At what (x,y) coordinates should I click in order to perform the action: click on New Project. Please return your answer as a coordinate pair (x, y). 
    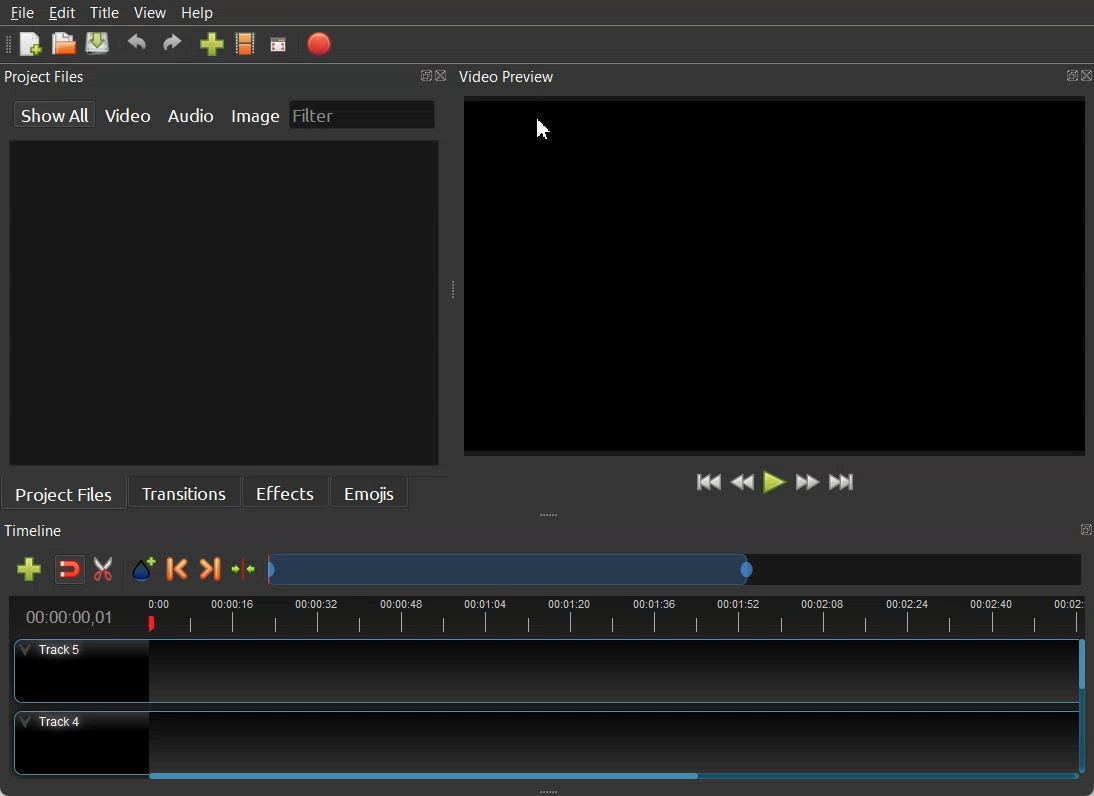
    Looking at the image, I should click on (29, 45).